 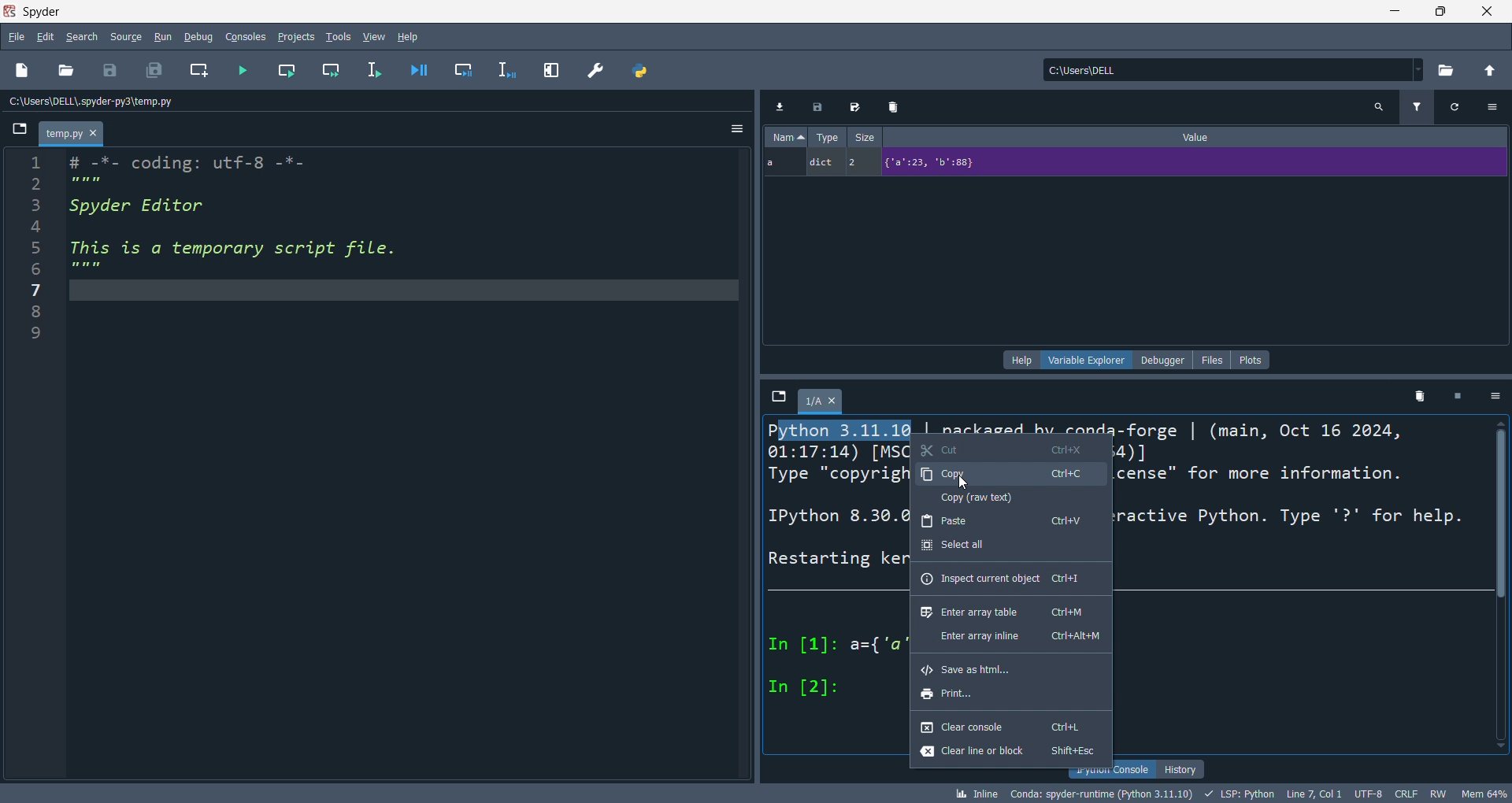 What do you see at coordinates (112, 71) in the screenshot?
I see `save` at bounding box center [112, 71].